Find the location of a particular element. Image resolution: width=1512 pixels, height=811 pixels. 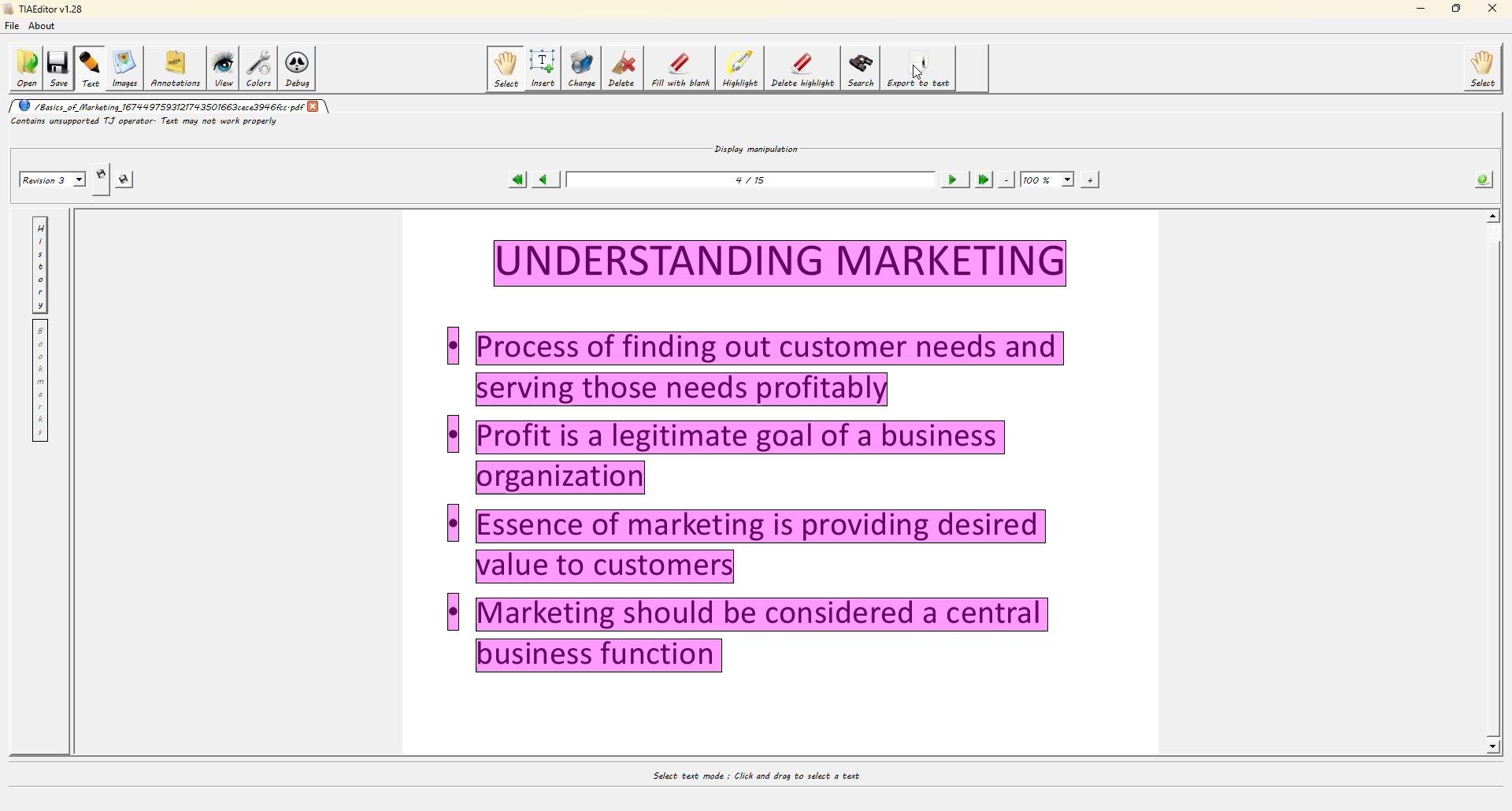

info about the pdf is located at coordinates (1484, 178).